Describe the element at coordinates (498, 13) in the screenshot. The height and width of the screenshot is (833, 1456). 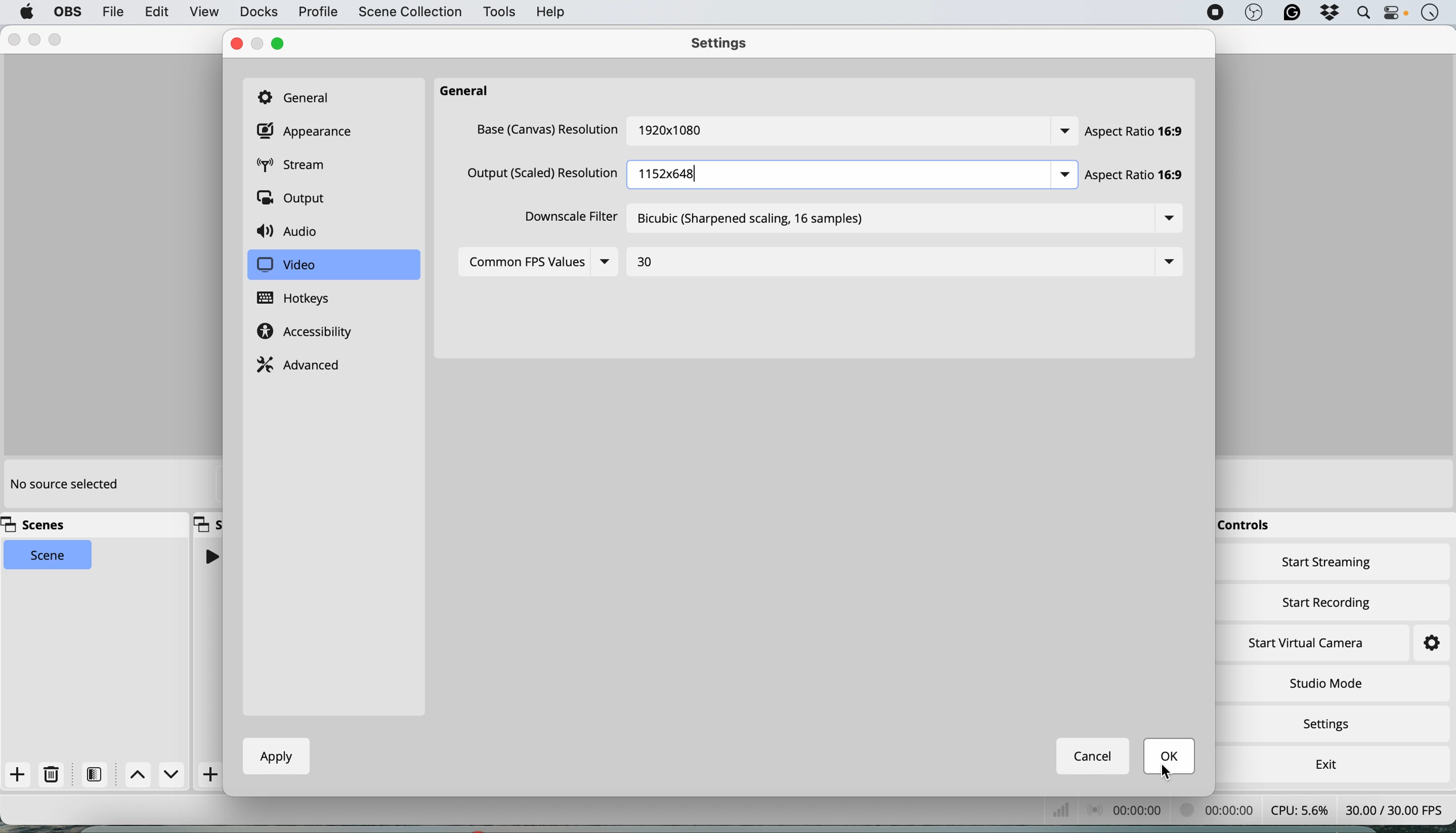
I see `tools` at that location.